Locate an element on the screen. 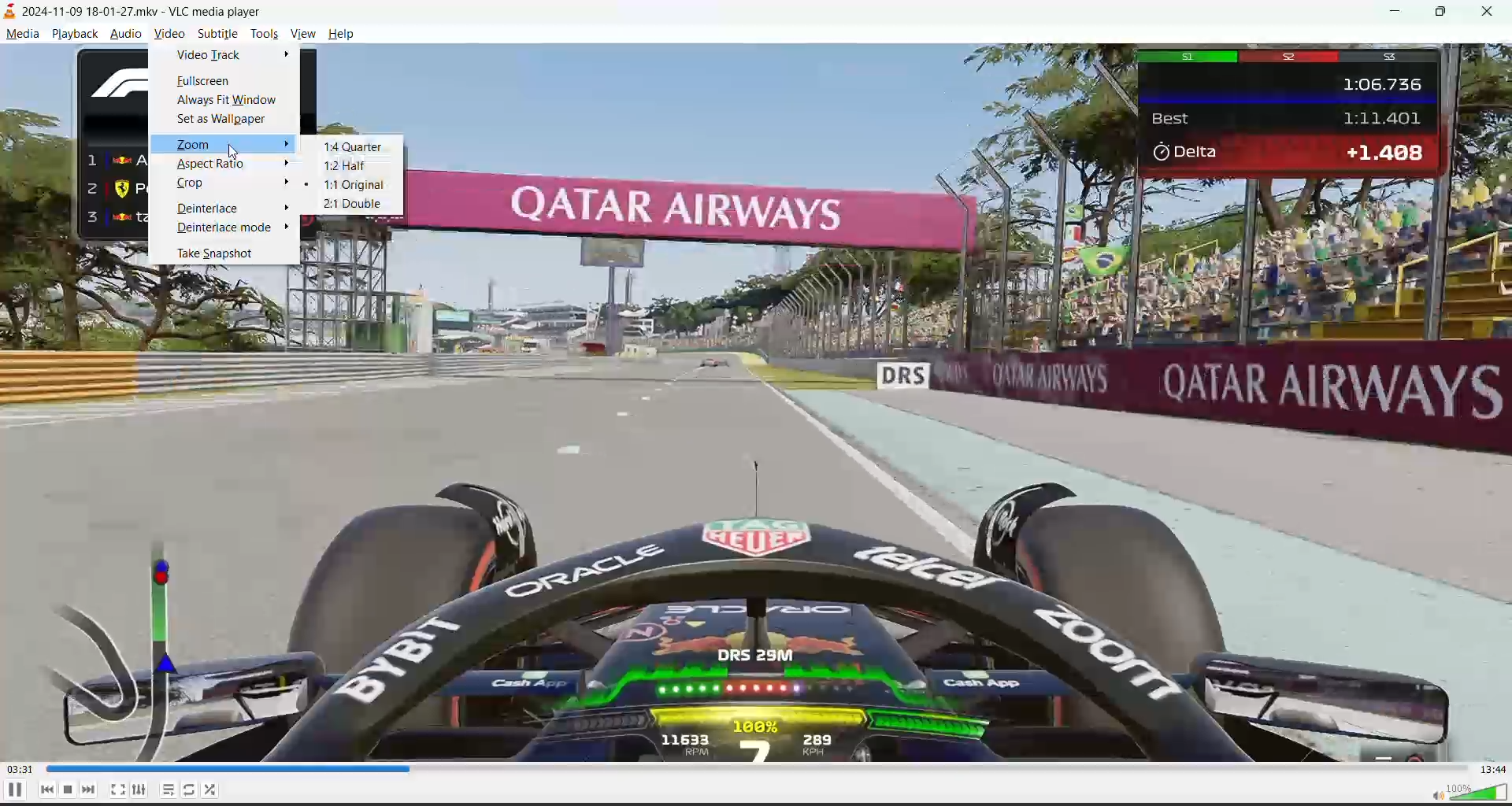 The image size is (1512, 806). next is located at coordinates (91, 788).